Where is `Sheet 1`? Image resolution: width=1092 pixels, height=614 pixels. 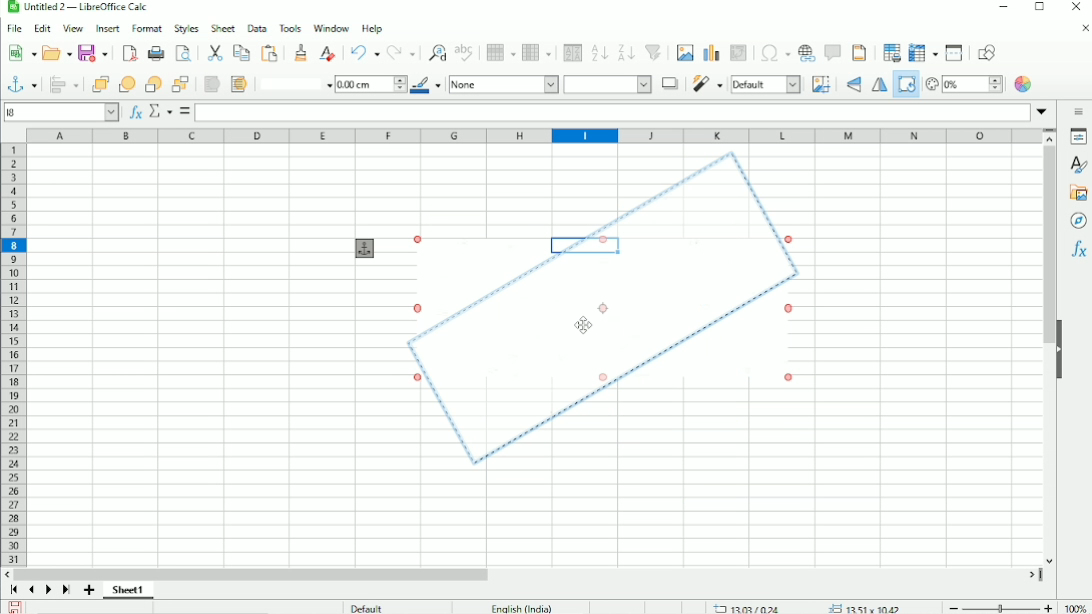 Sheet 1 is located at coordinates (128, 591).